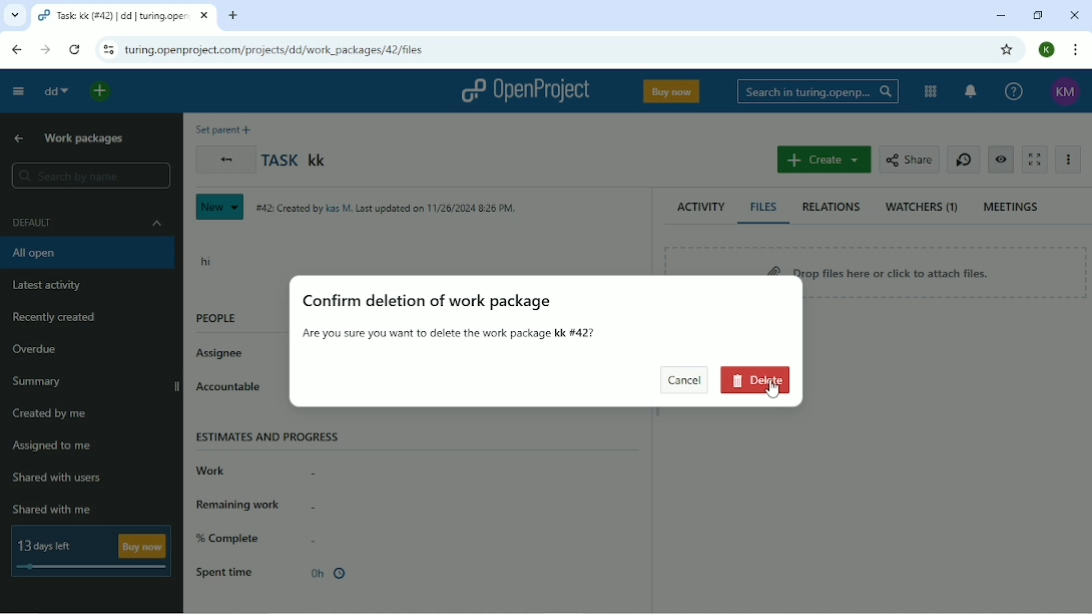  Describe the element at coordinates (85, 138) in the screenshot. I see `Work packages` at that location.